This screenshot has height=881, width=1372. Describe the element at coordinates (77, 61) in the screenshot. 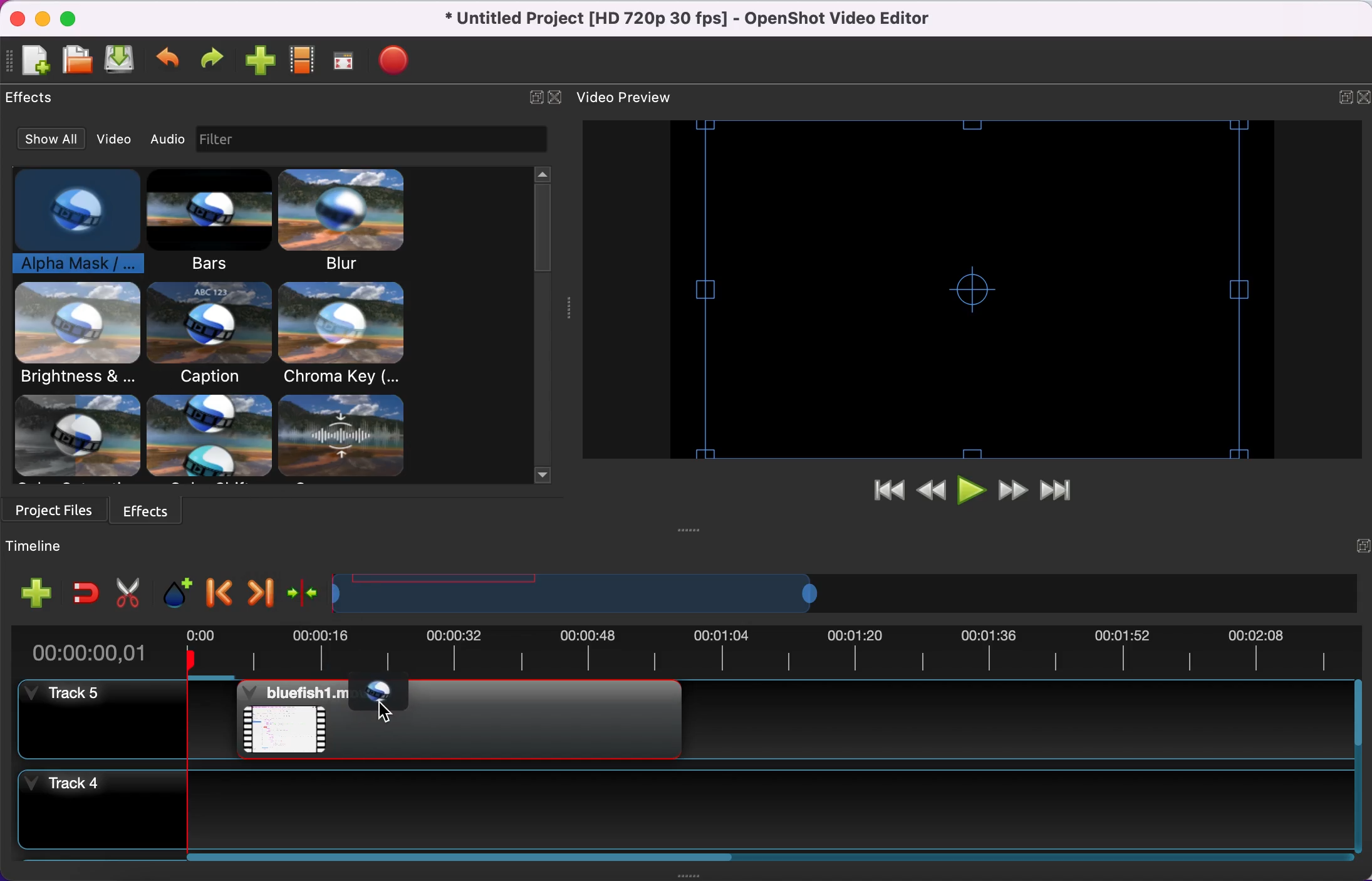

I see `open file` at that location.